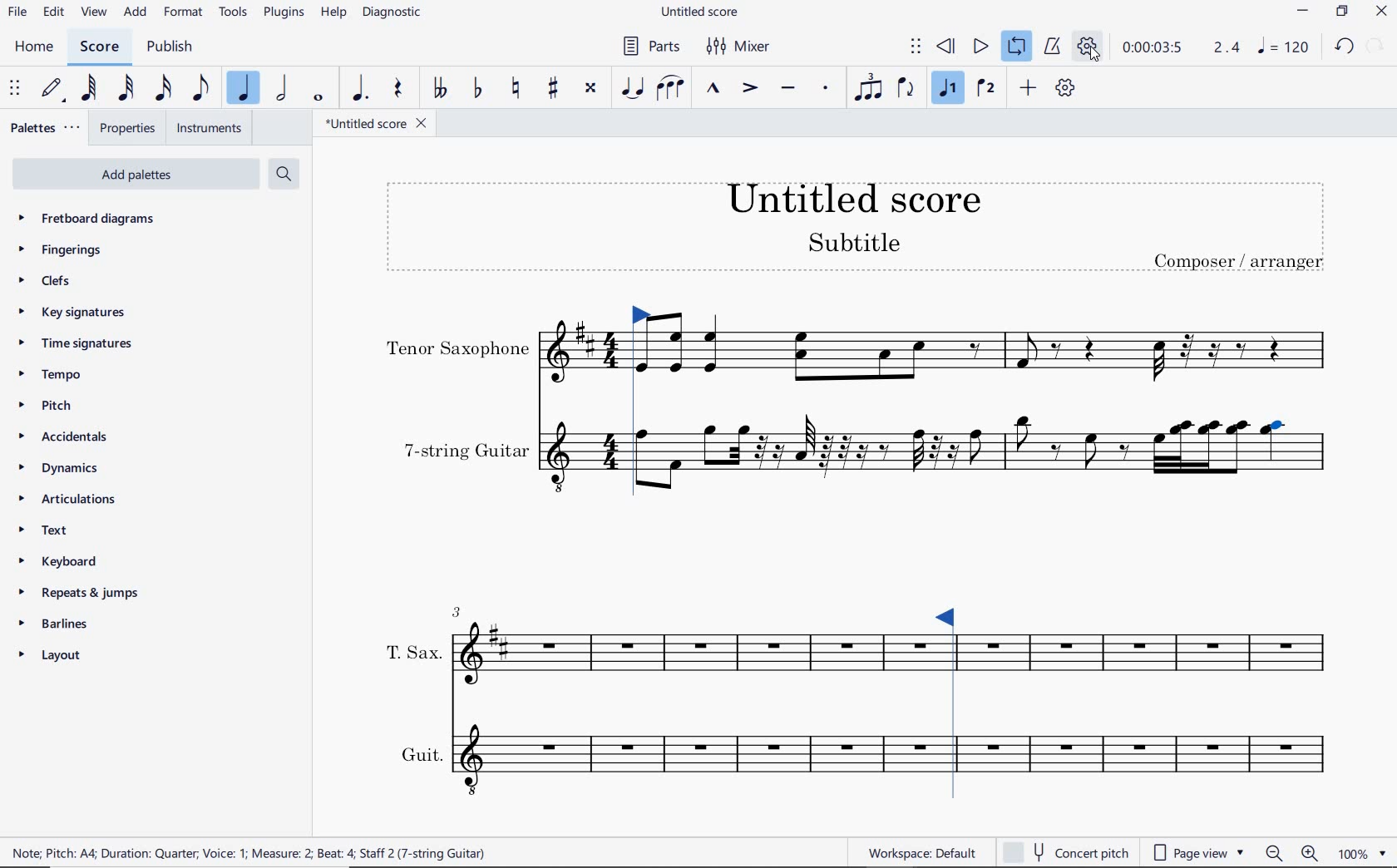  Describe the element at coordinates (1280, 472) in the screenshot. I see `INSTRUMENT: 7-STRING GUITAR` at that location.